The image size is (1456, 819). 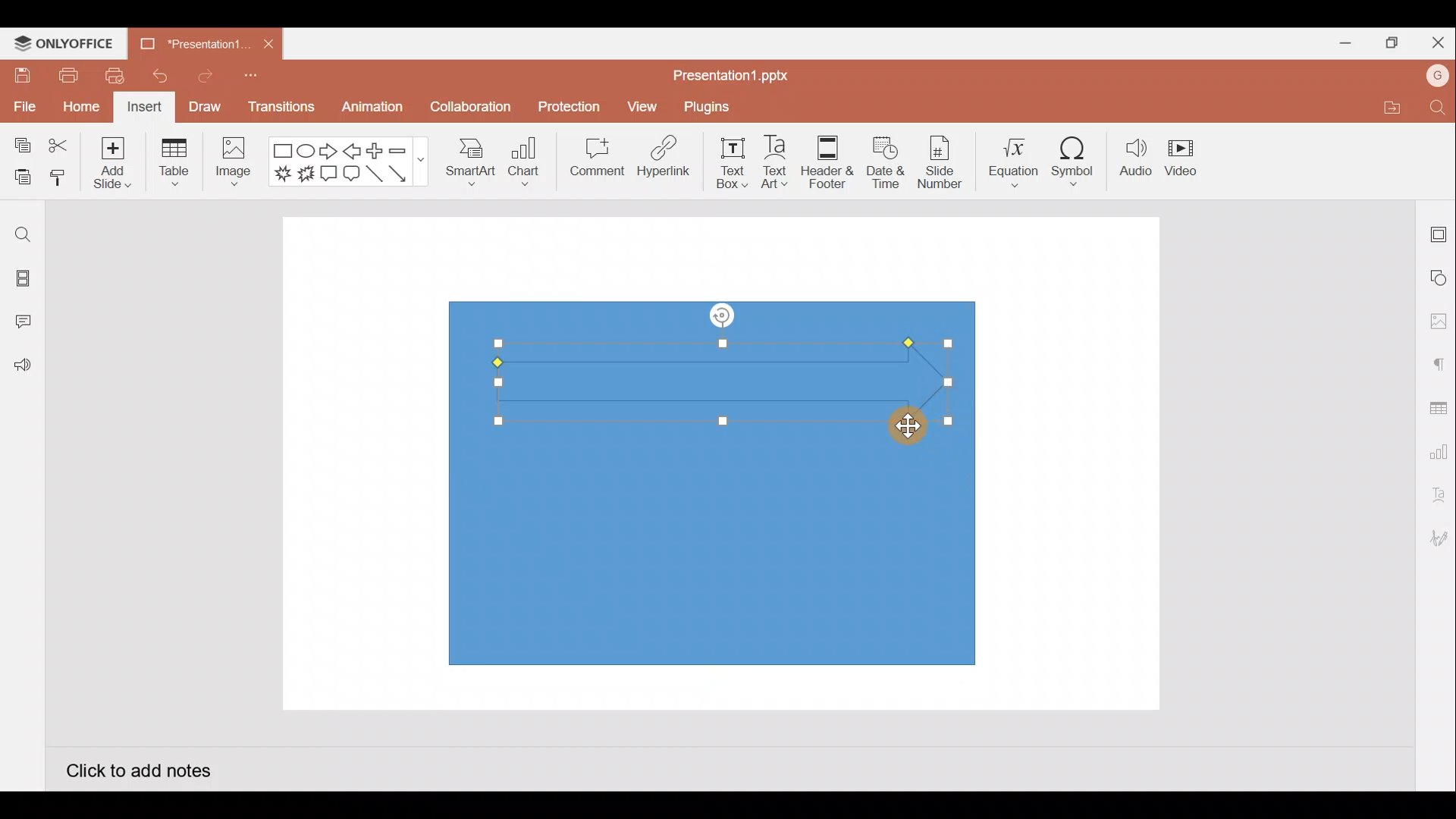 What do you see at coordinates (374, 111) in the screenshot?
I see `Animation` at bounding box center [374, 111].